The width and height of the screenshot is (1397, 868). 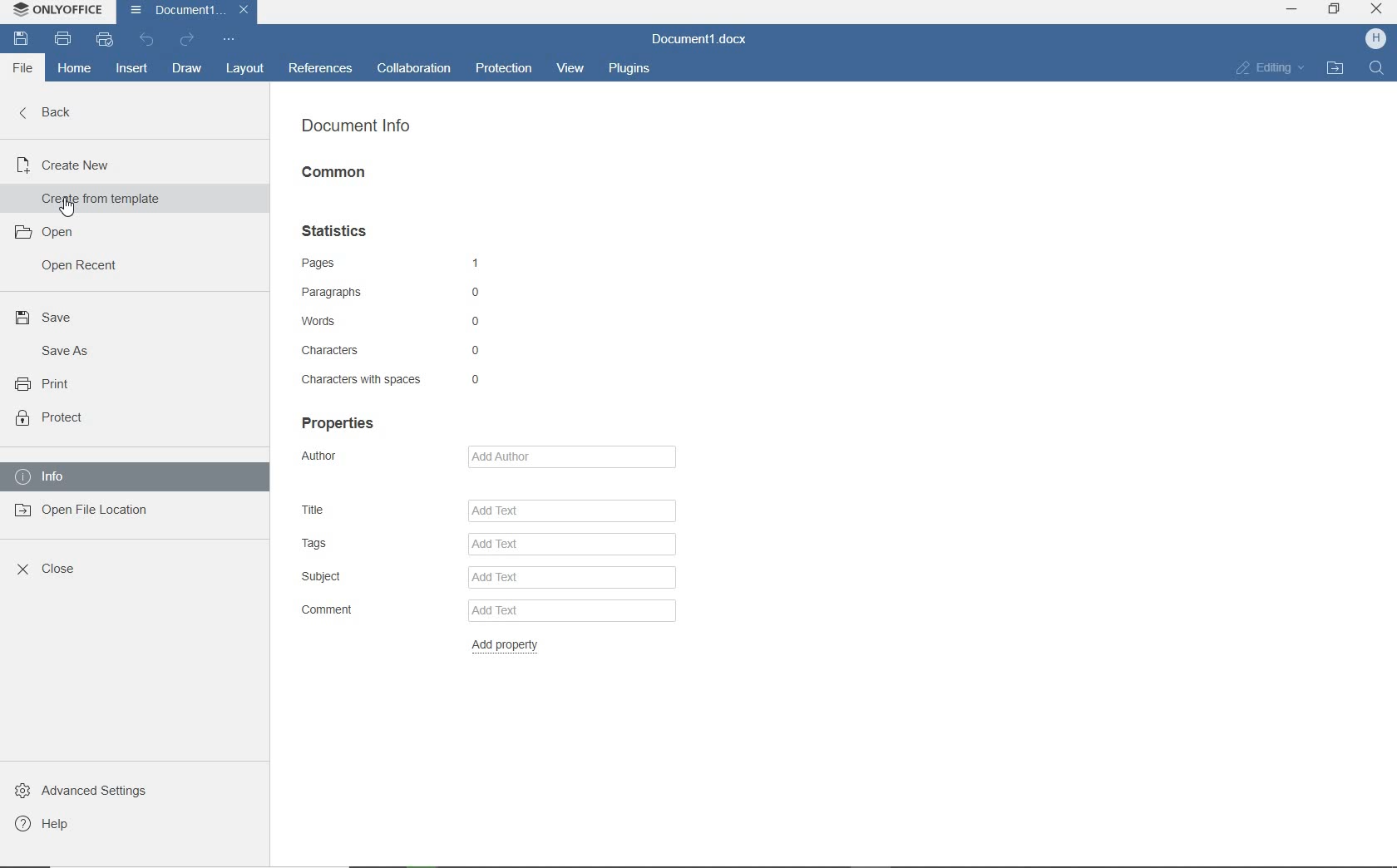 What do you see at coordinates (502, 67) in the screenshot?
I see `protection` at bounding box center [502, 67].